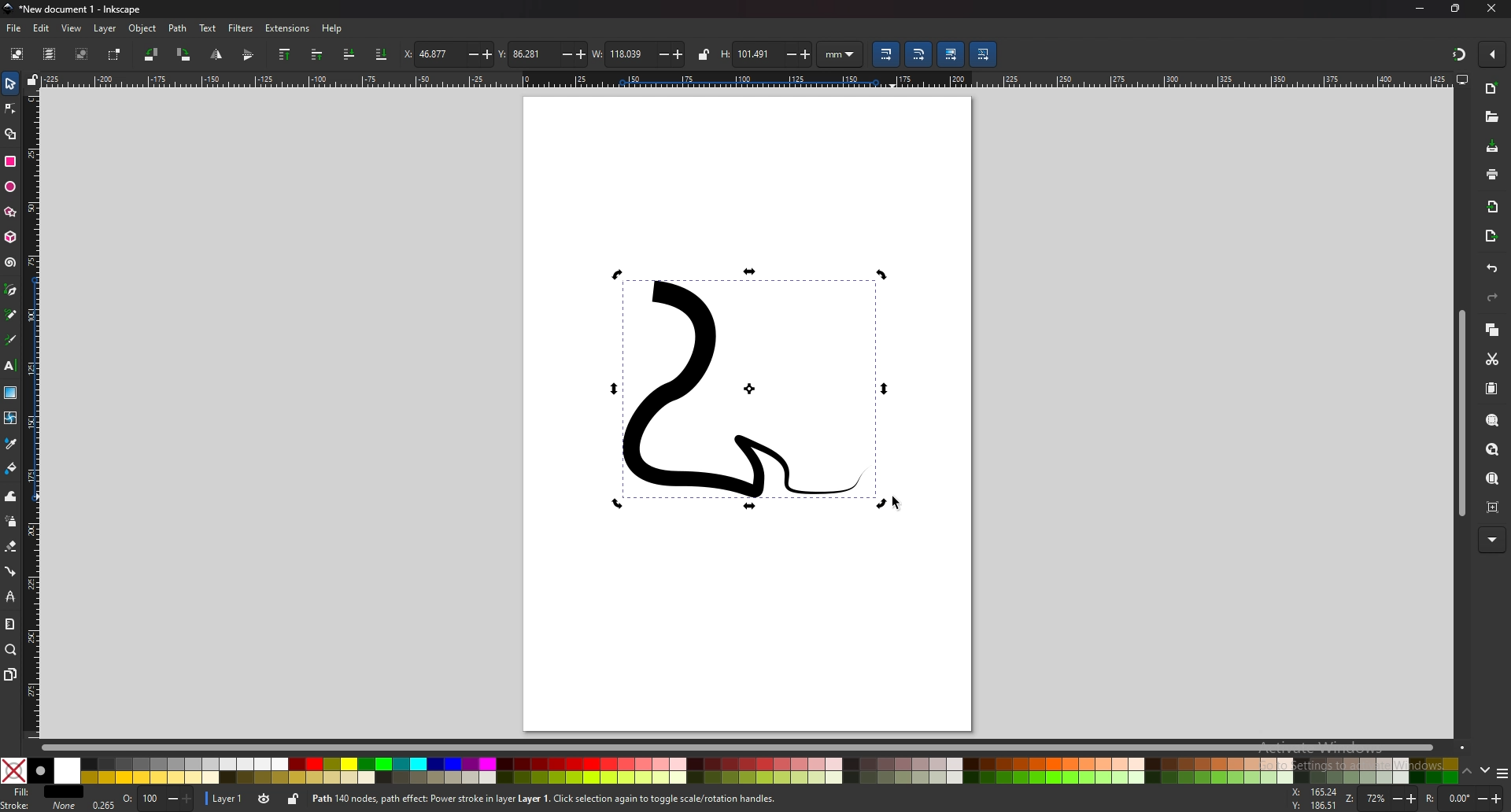 This screenshot has height=812, width=1511. What do you see at coordinates (10, 161) in the screenshot?
I see `rectangle` at bounding box center [10, 161].